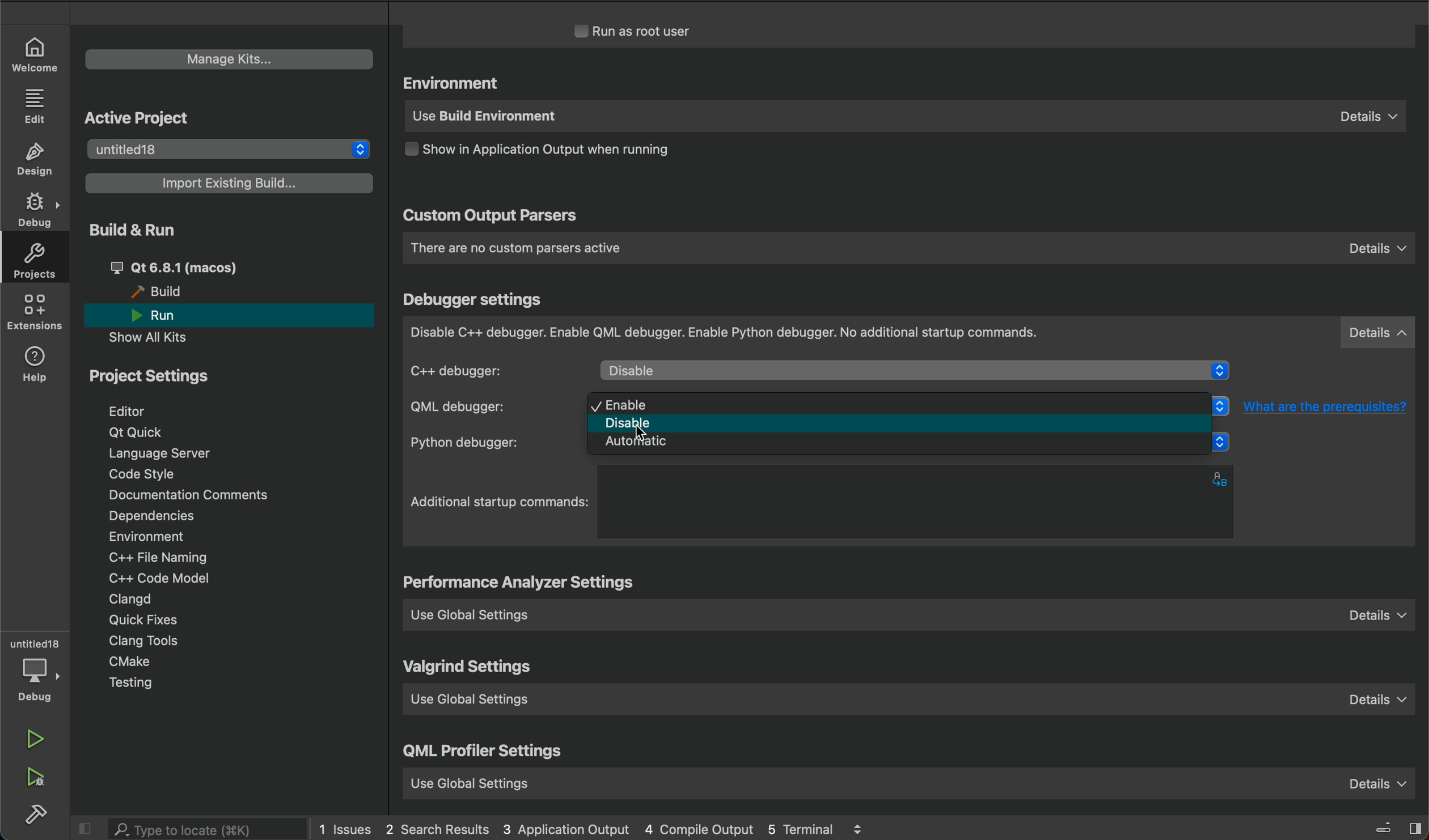  I want to click on use global , so click(907, 780).